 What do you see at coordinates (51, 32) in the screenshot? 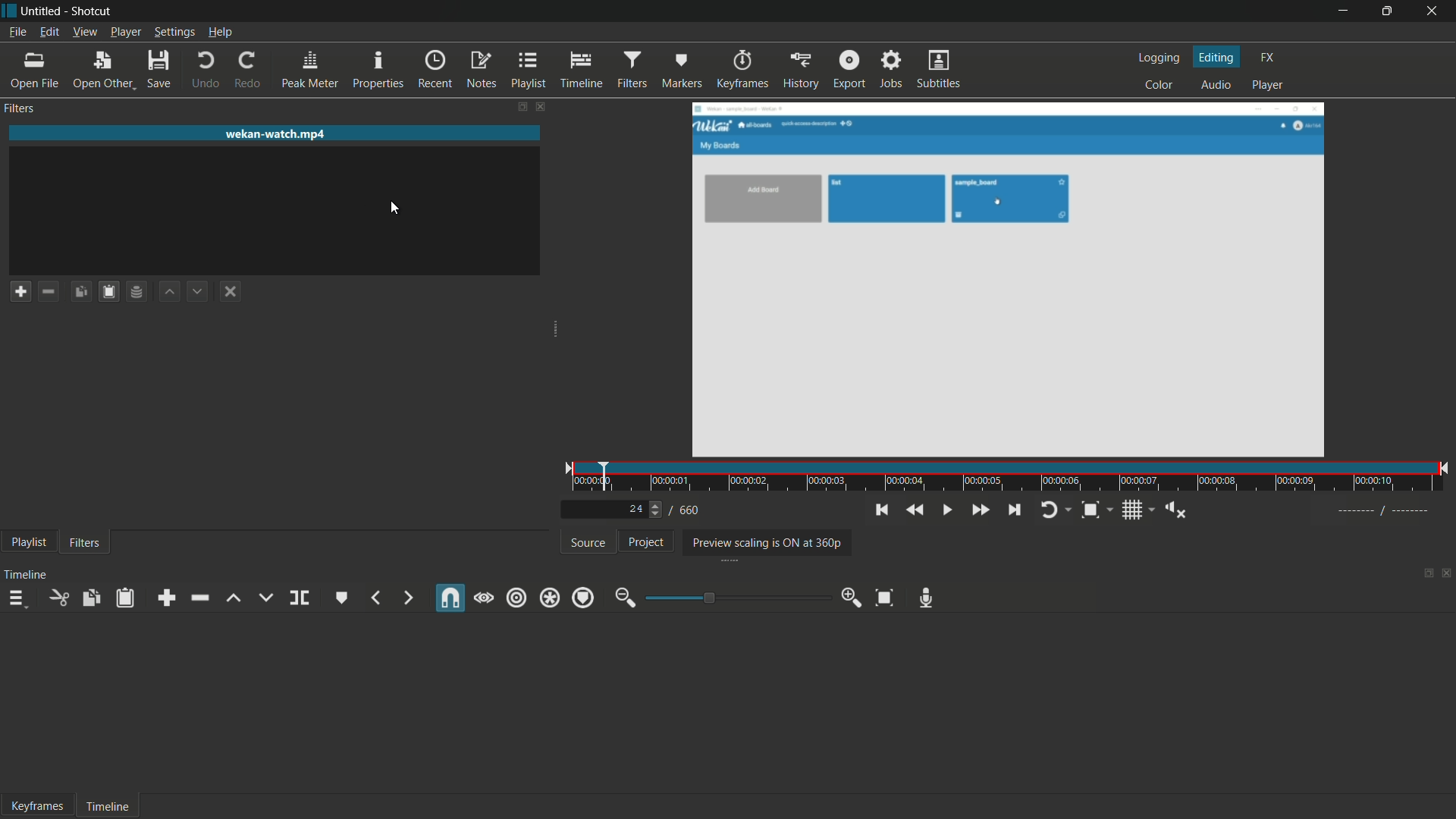
I see `edit menu` at bounding box center [51, 32].